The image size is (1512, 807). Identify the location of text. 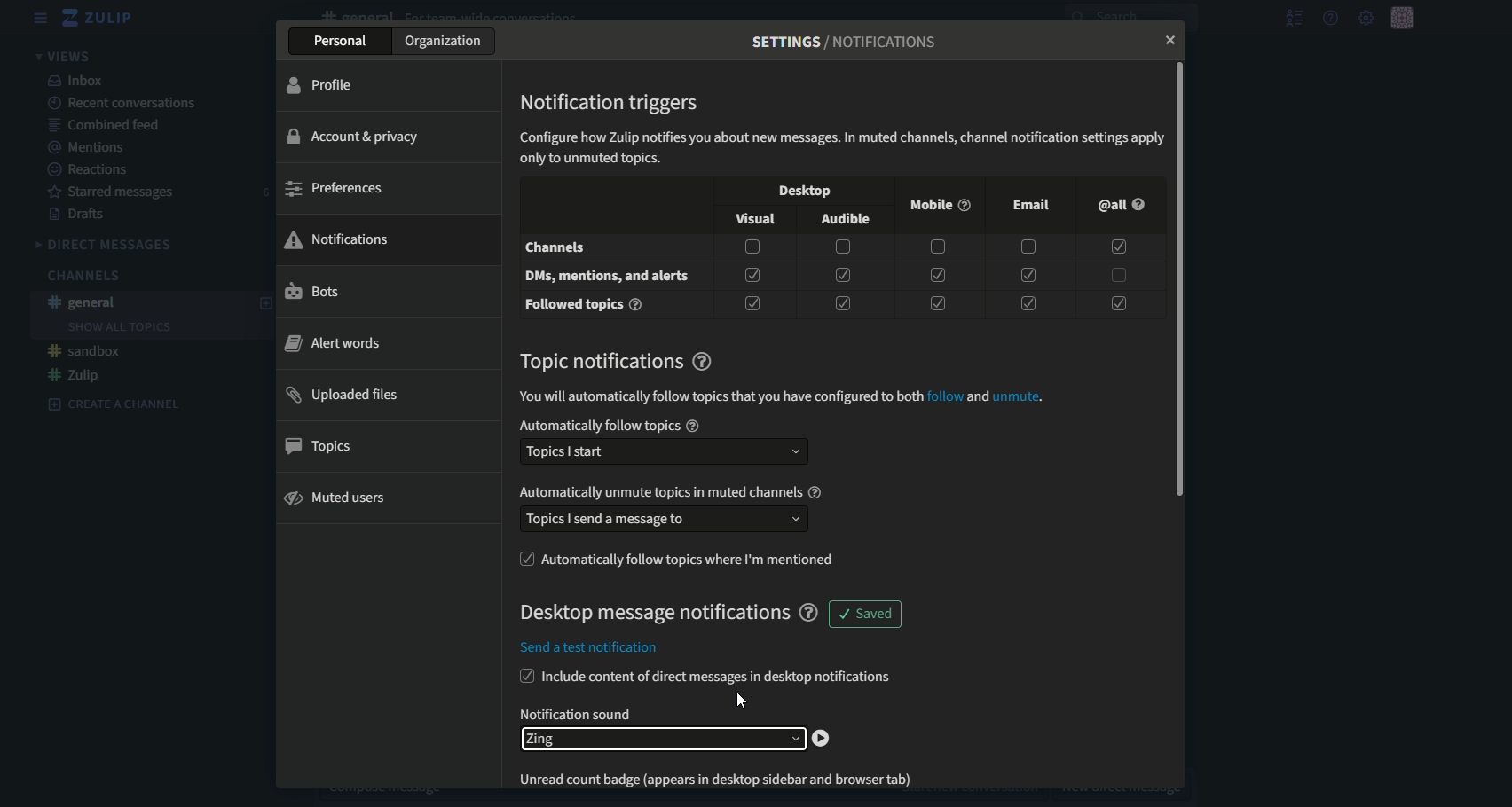
(717, 397).